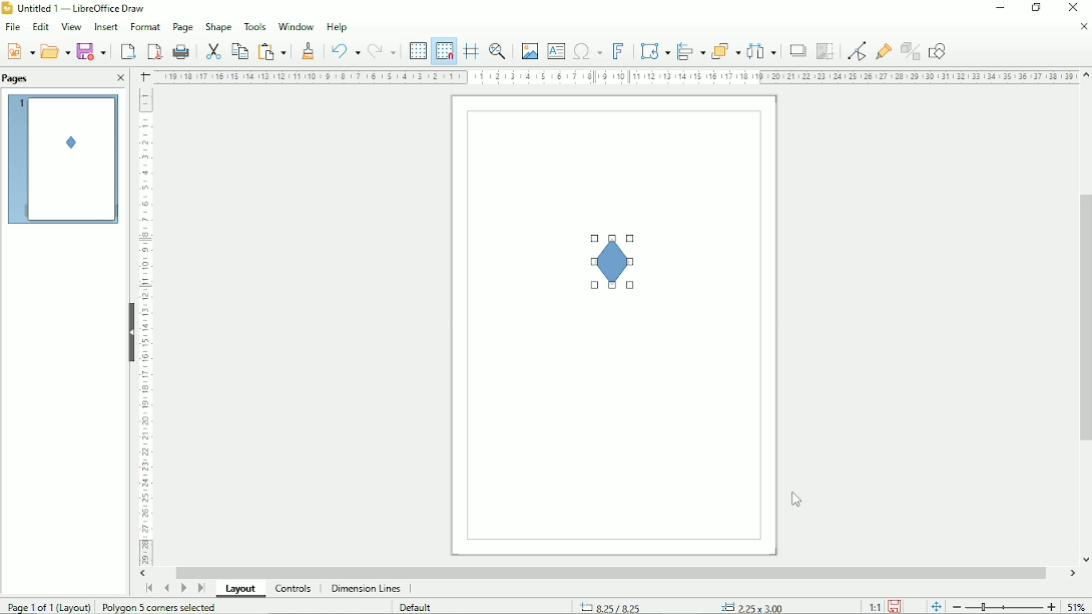 This screenshot has height=614, width=1092. Describe the element at coordinates (528, 51) in the screenshot. I see `Insert image` at that location.